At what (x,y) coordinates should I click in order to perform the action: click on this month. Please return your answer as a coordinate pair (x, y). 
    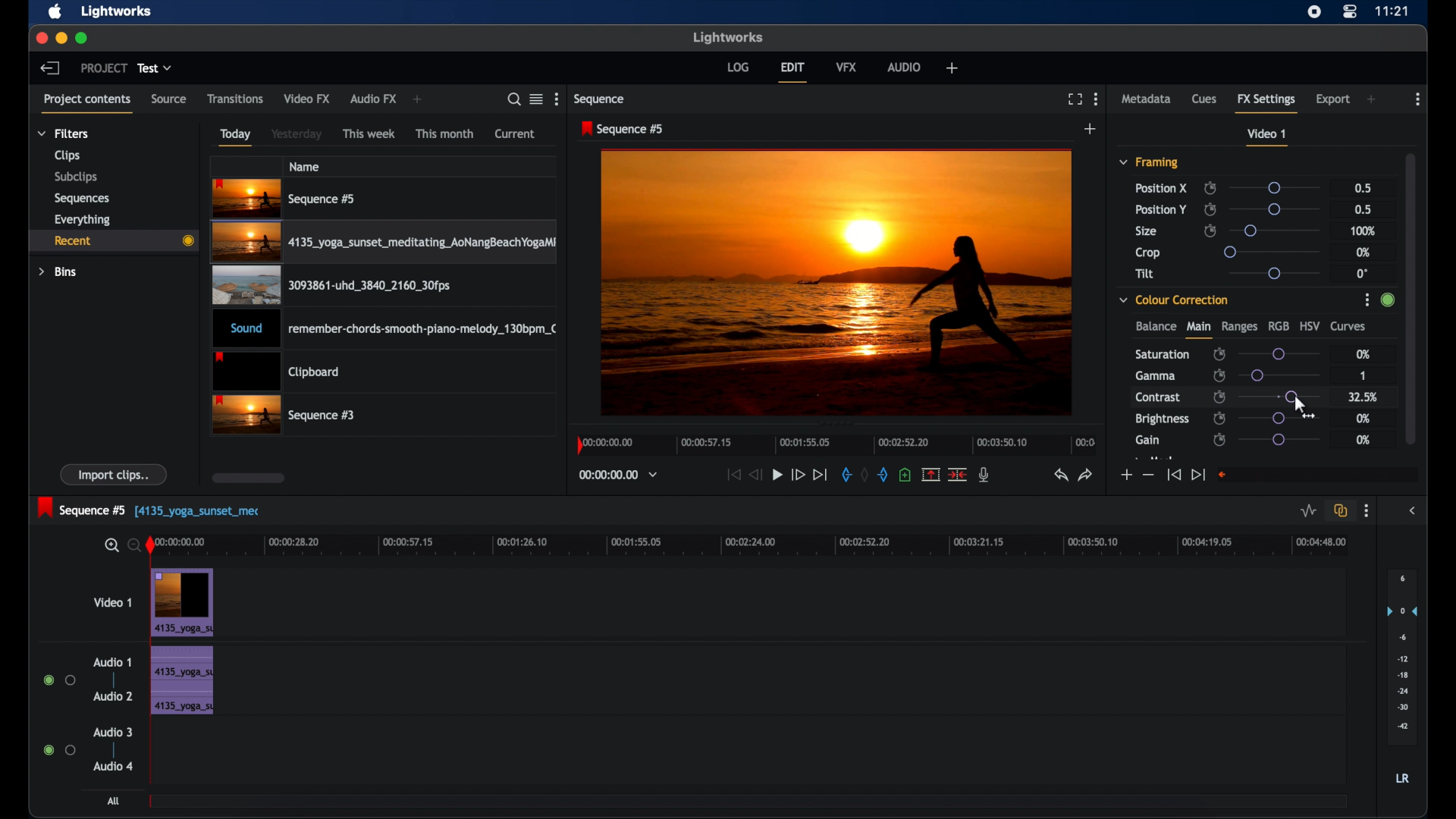
    Looking at the image, I should click on (444, 133).